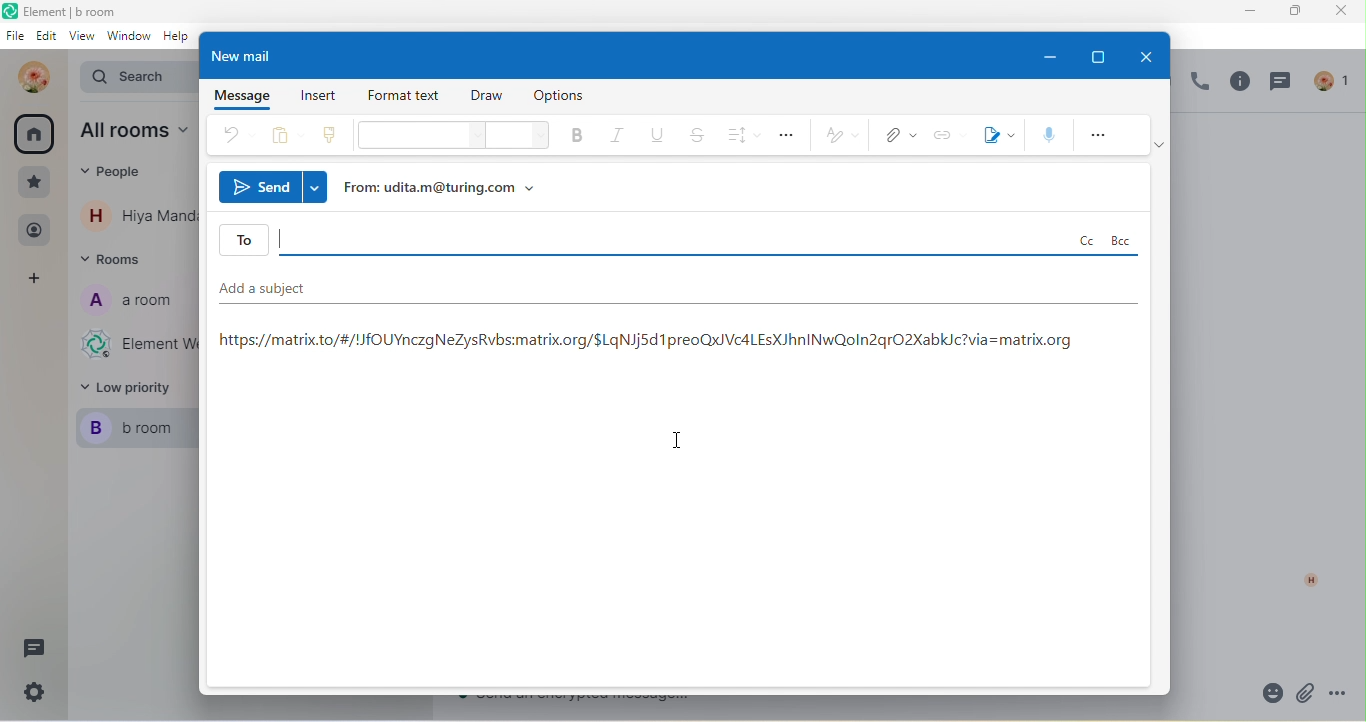  What do you see at coordinates (35, 138) in the screenshot?
I see `all room` at bounding box center [35, 138].